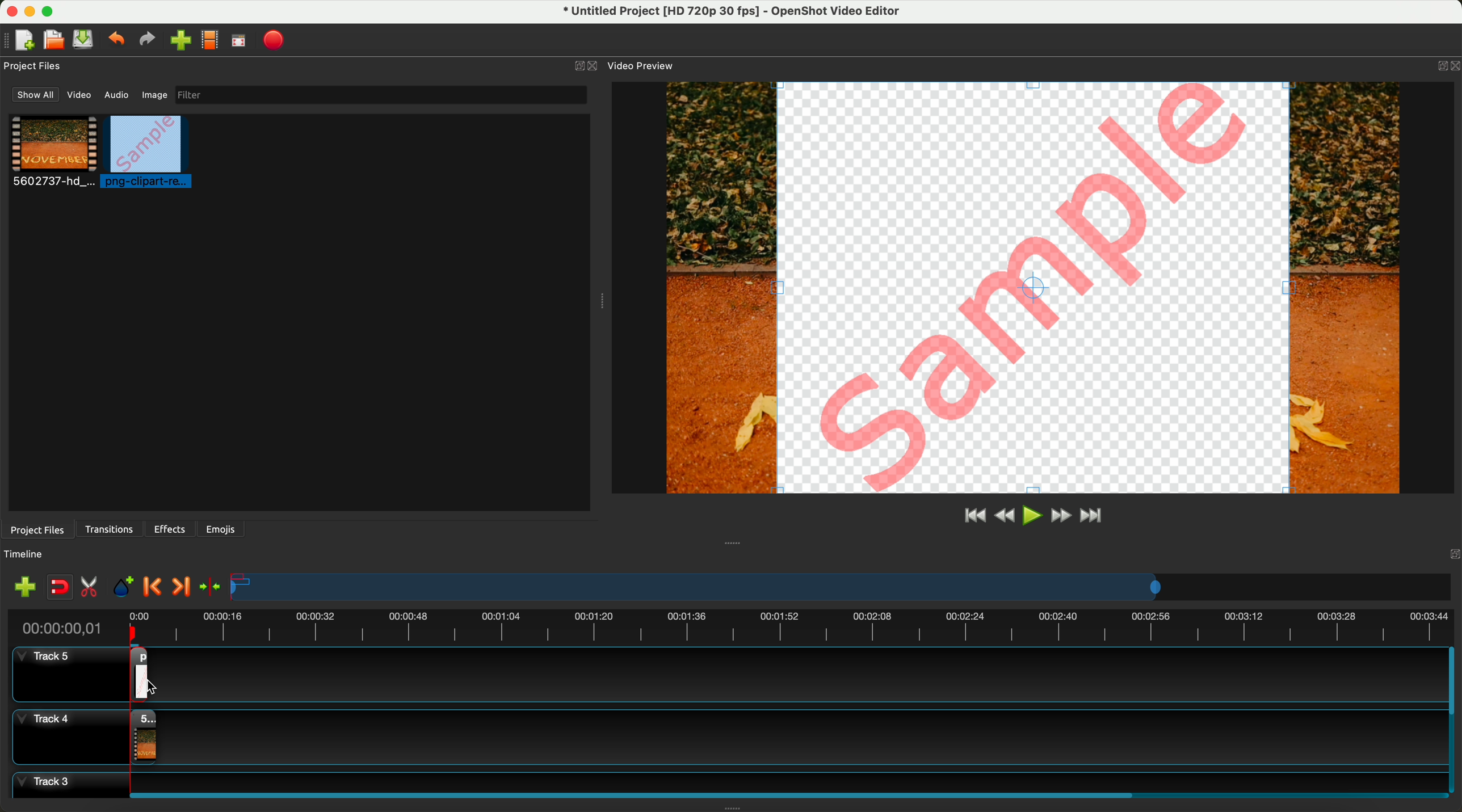 The width and height of the screenshot is (1462, 812). Describe the element at coordinates (60, 675) in the screenshot. I see `track 5` at that location.